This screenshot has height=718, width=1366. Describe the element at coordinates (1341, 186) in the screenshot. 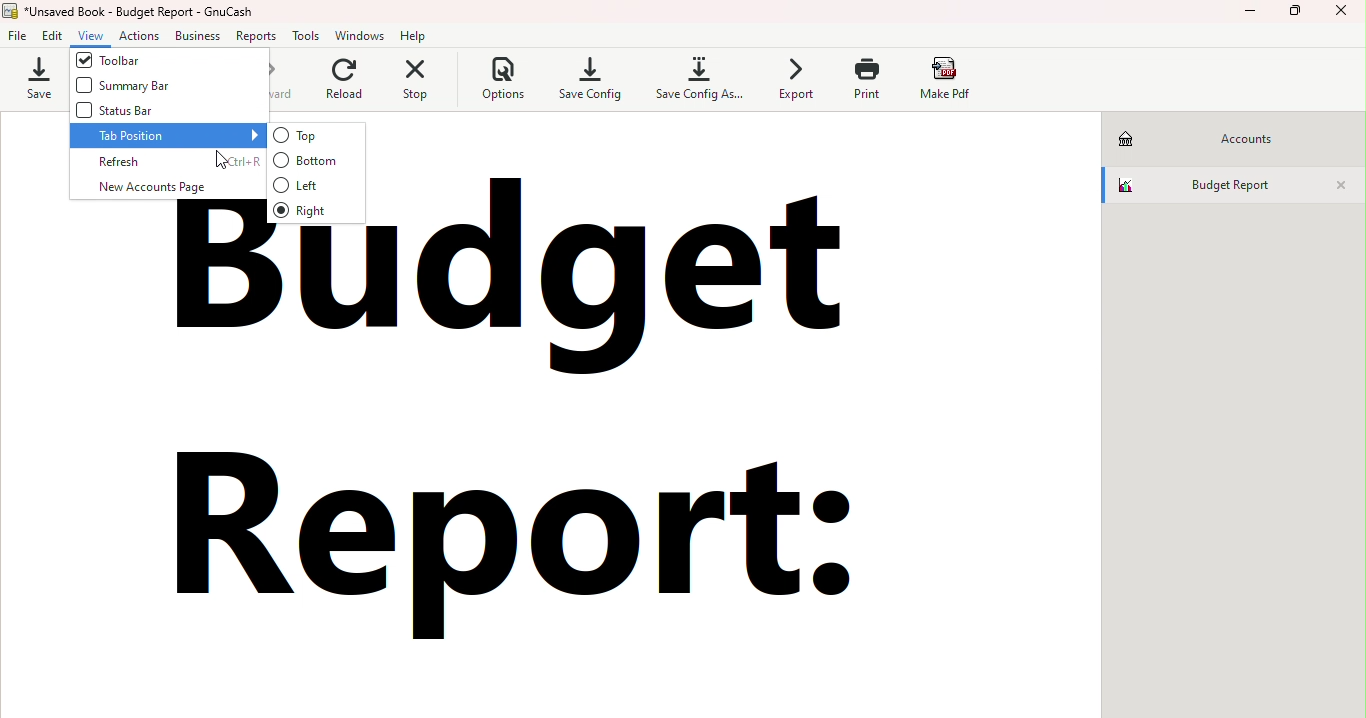

I see `Close` at that location.